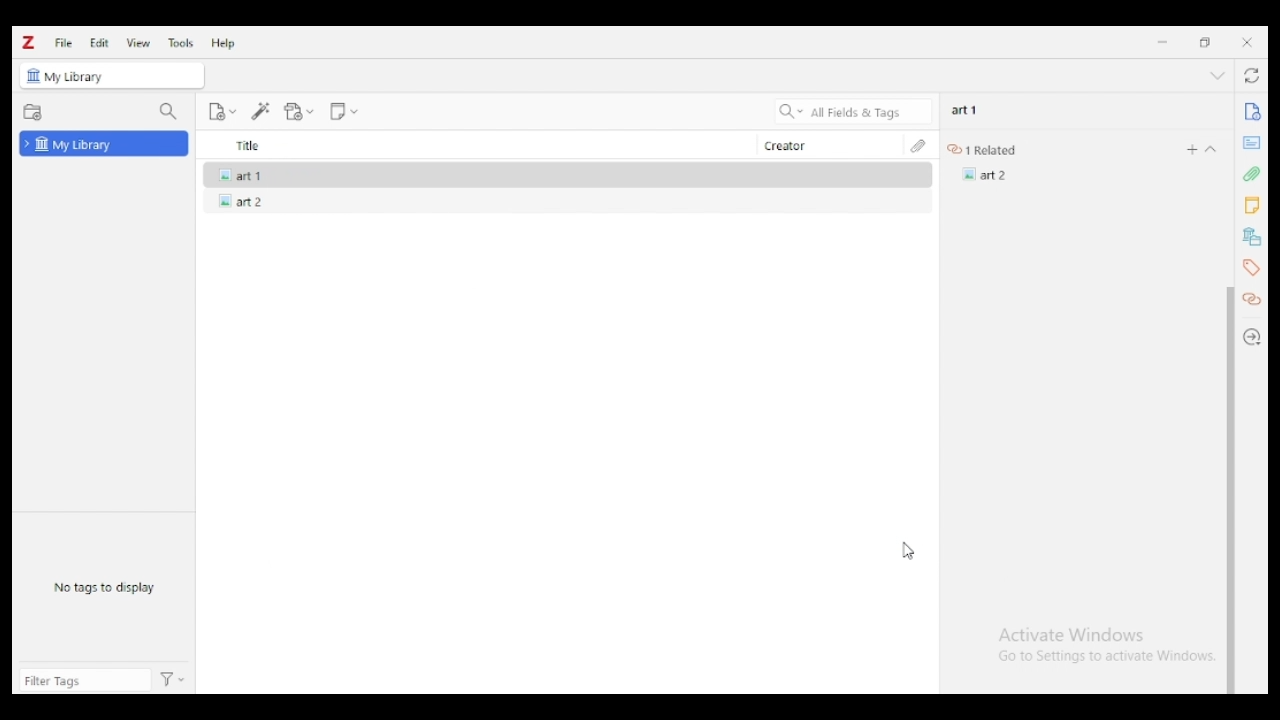  Describe the element at coordinates (85, 680) in the screenshot. I see `filter tags` at that location.